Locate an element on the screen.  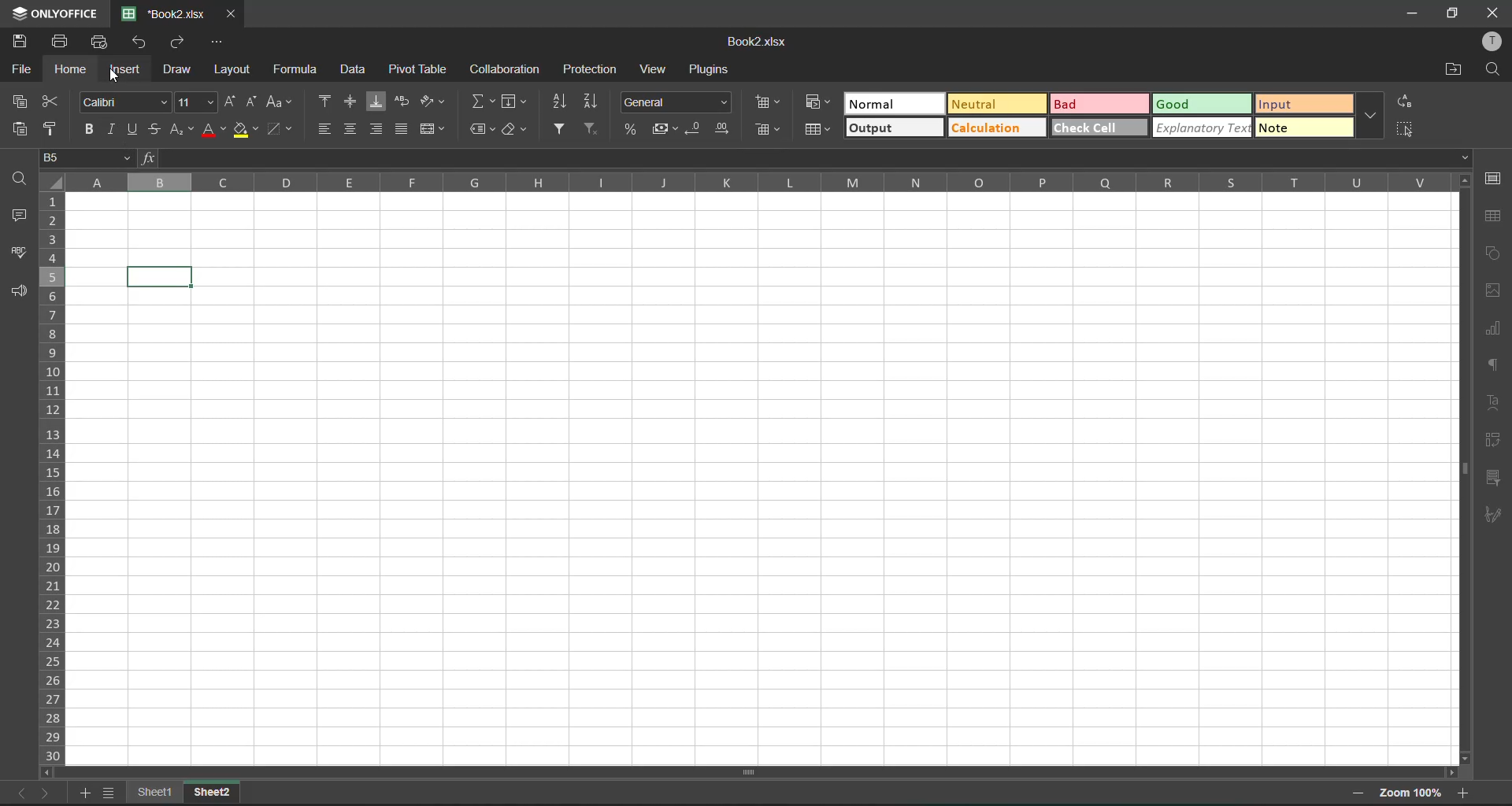
paragraph is located at coordinates (1496, 370).